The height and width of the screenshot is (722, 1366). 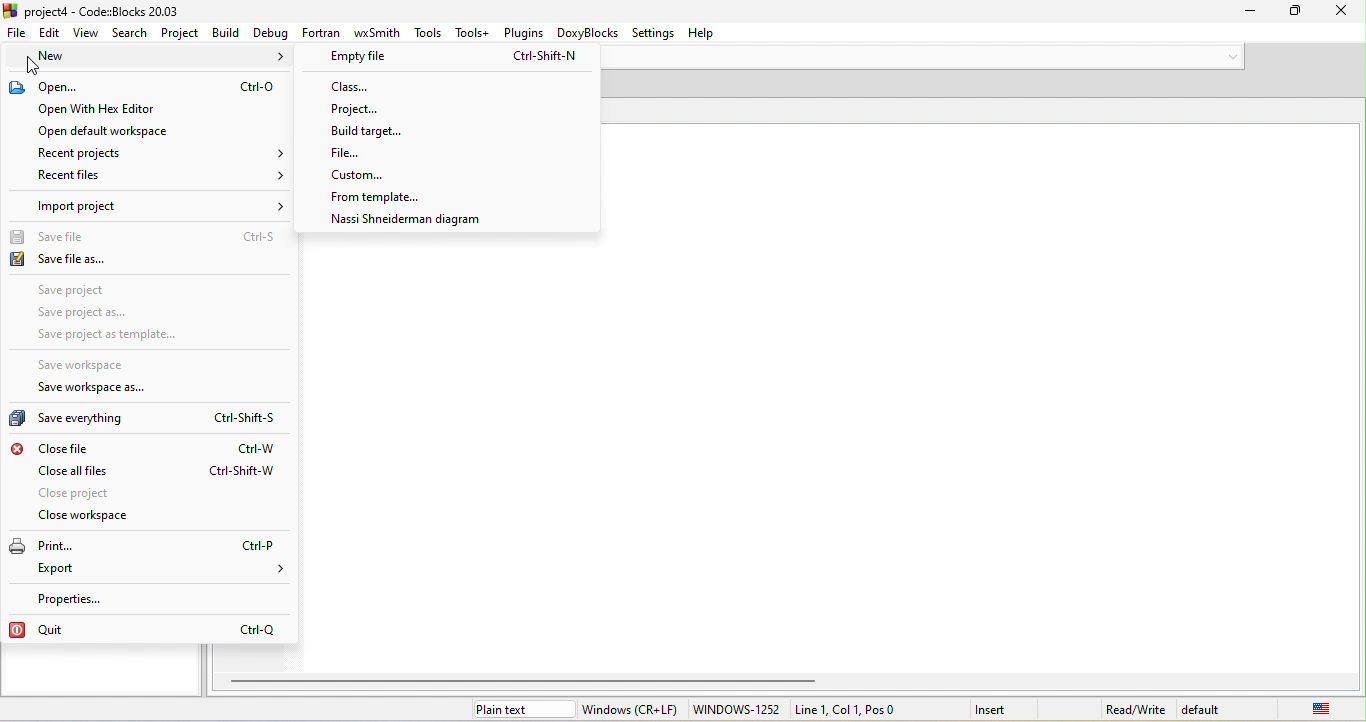 I want to click on close, so click(x=1333, y=10).